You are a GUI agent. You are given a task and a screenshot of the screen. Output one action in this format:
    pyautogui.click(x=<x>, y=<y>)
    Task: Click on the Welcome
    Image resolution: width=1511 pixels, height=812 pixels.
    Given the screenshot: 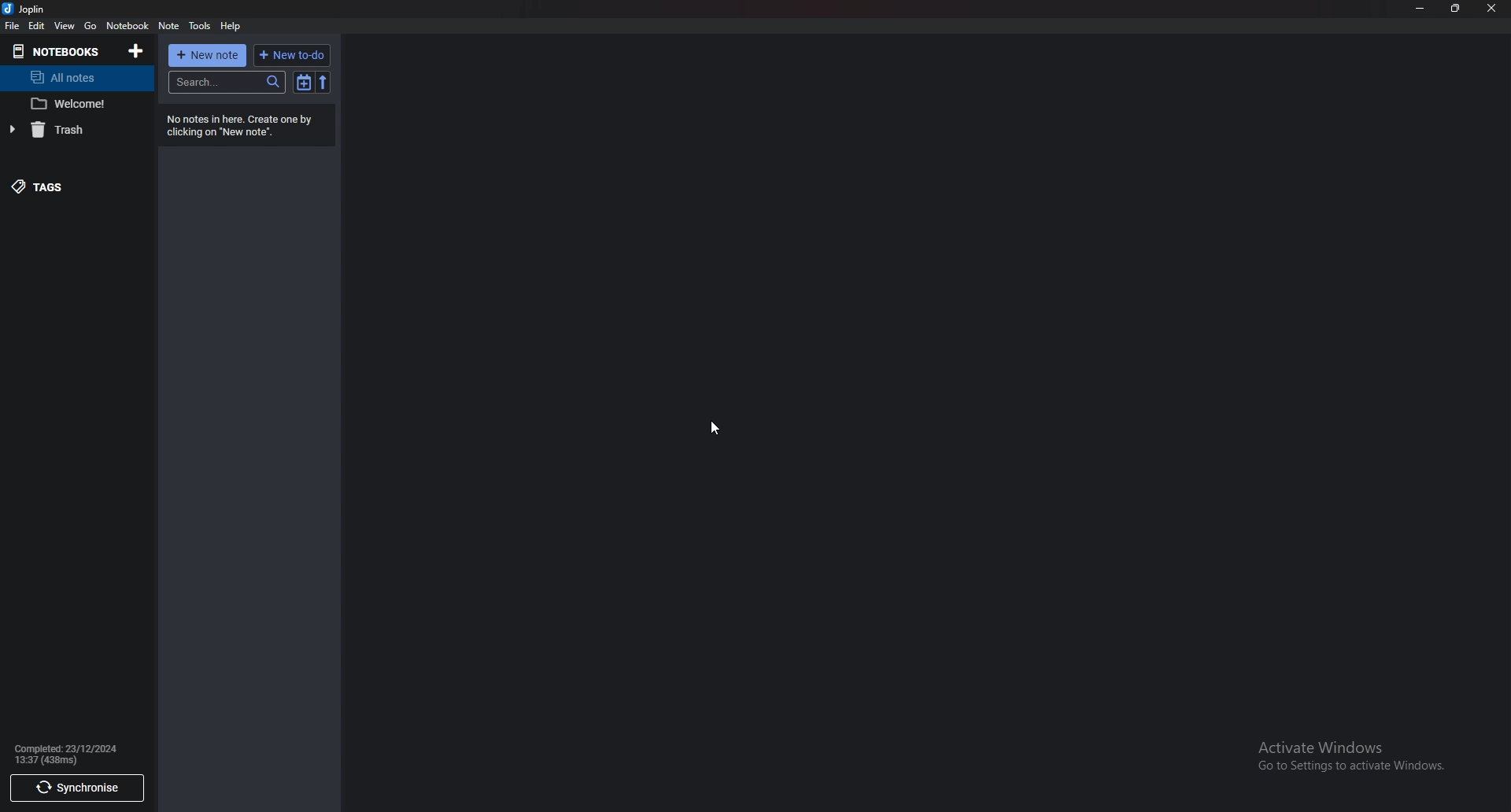 What is the action you would take?
    pyautogui.click(x=72, y=104)
    